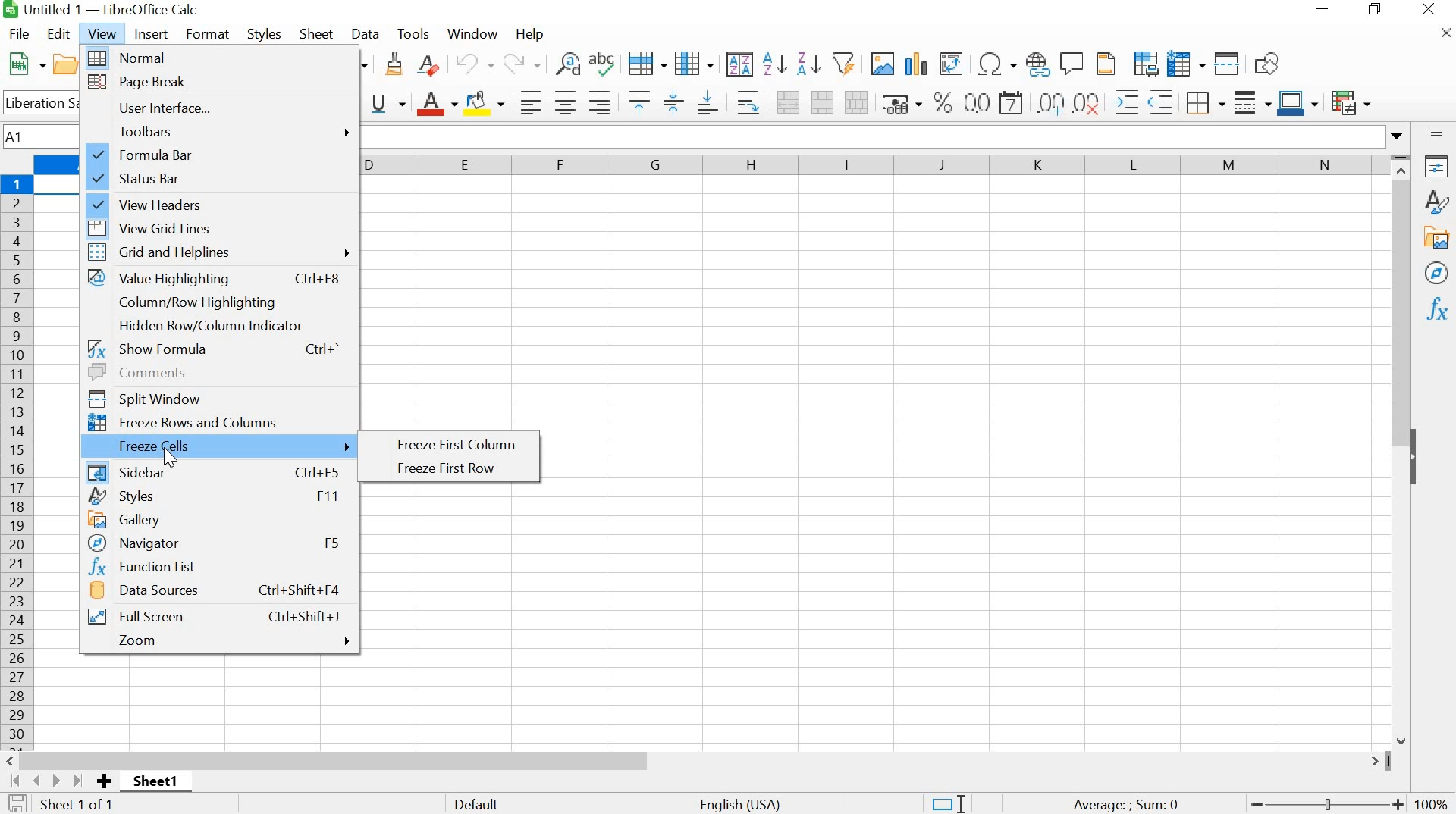 The height and width of the screenshot is (814, 1456). I want to click on SPLIT WINDOW, so click(1225, 63).